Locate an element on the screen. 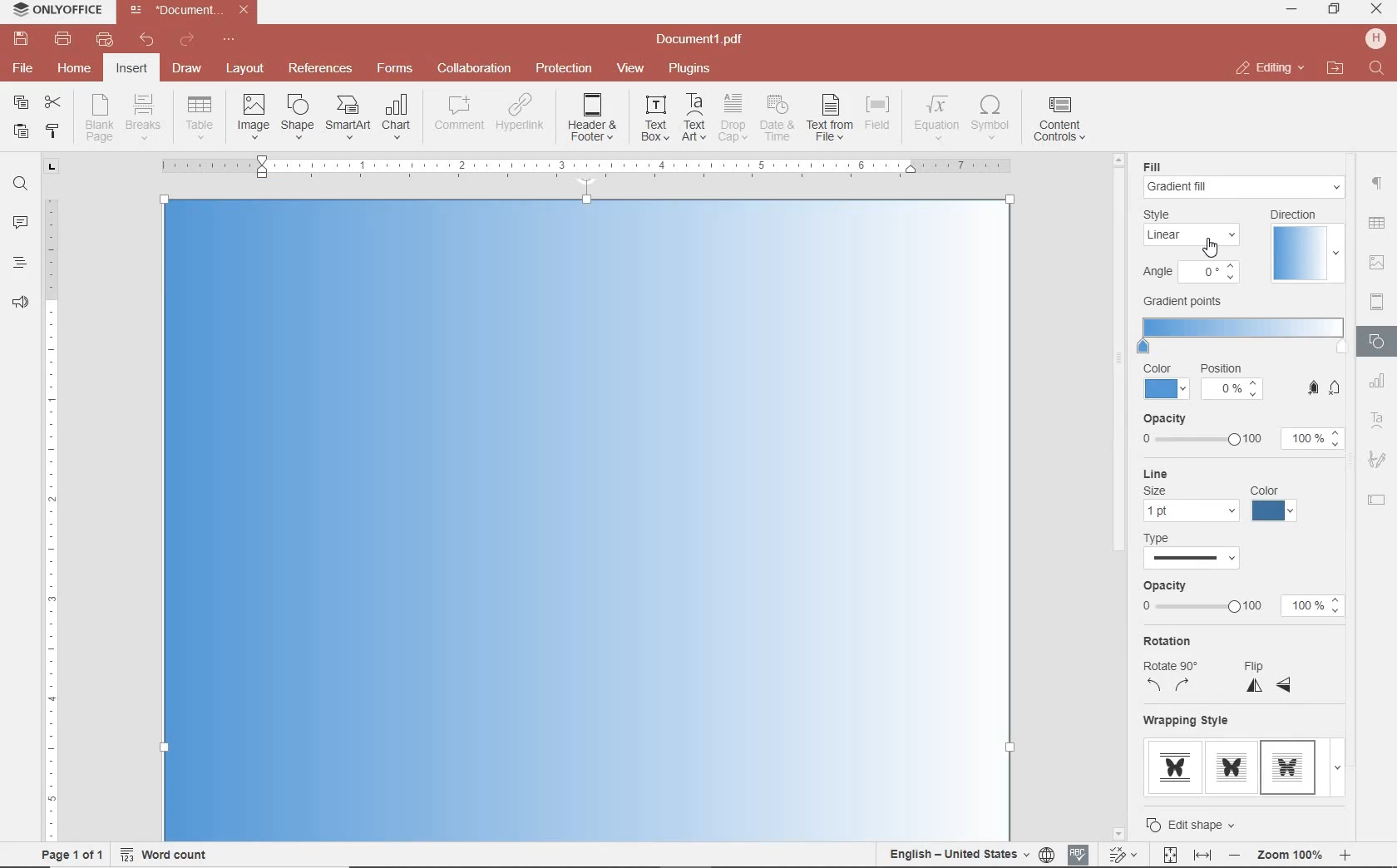 This screenshot has height=868, width=1397. protection is located at coordinates (565, 69).